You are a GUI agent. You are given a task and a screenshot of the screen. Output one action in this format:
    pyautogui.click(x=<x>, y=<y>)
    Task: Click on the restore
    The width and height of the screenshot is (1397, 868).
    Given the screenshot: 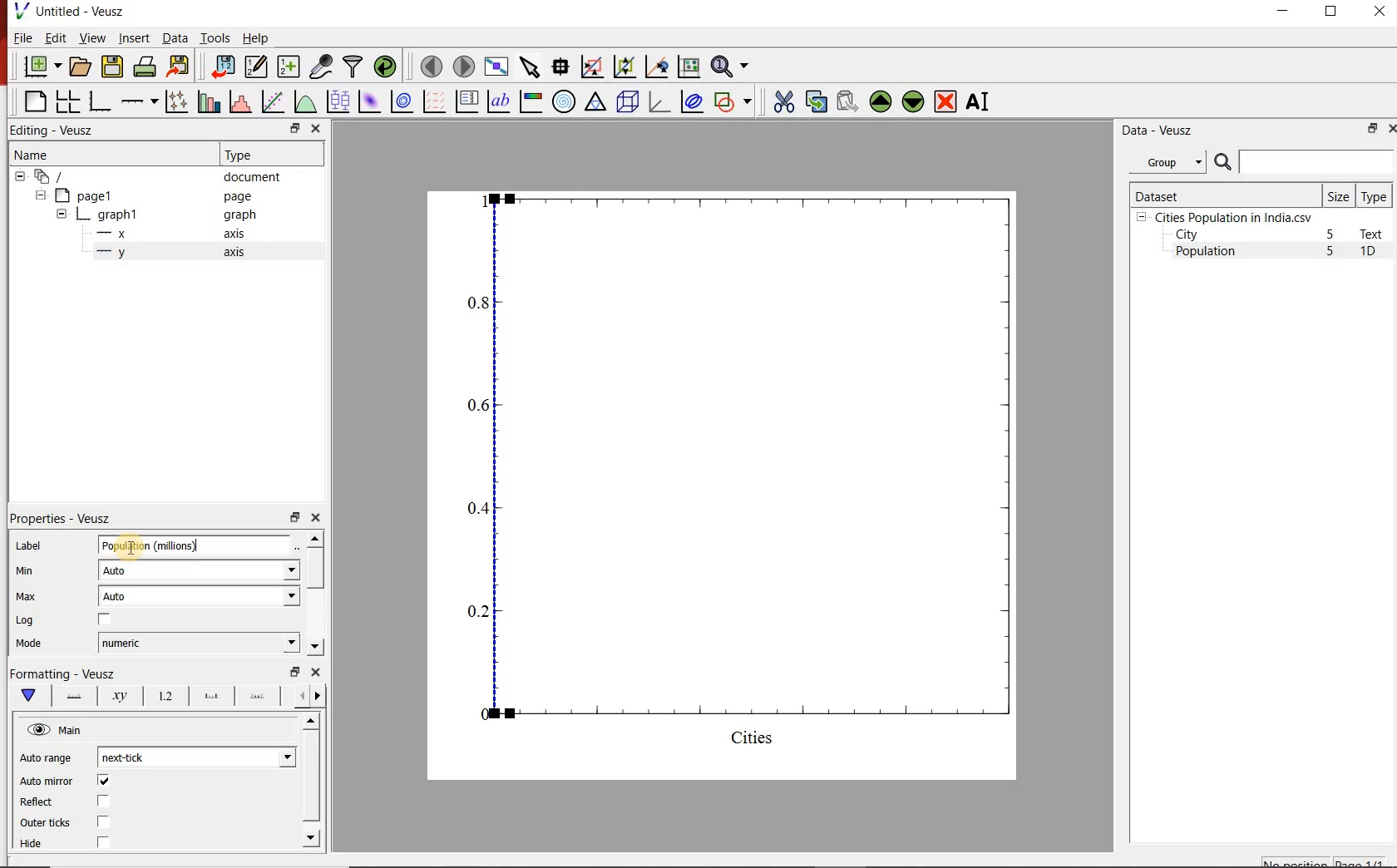 What is the action you would take?
    pyautogui.click(x=294, y=672)
    